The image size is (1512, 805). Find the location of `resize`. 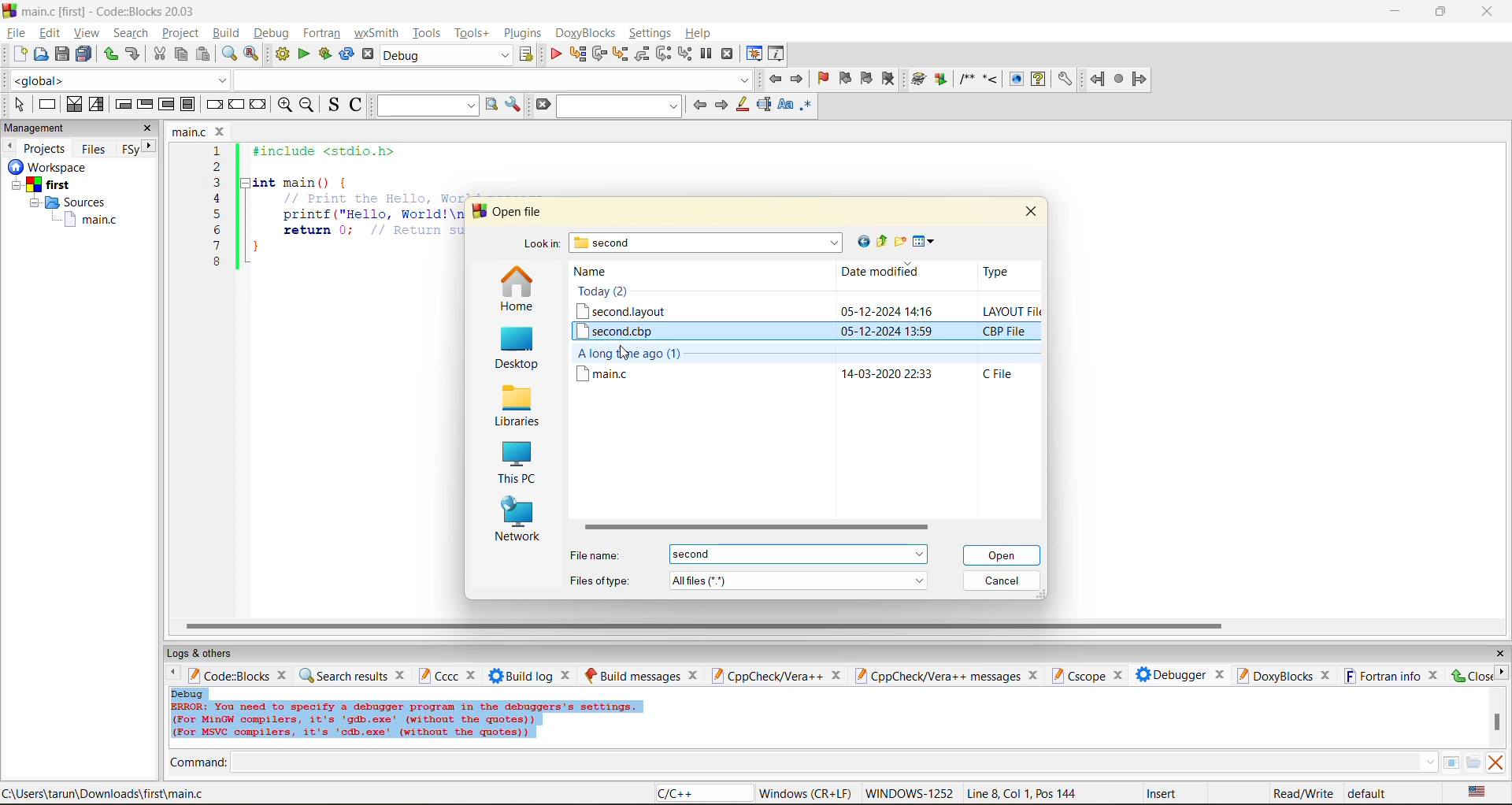

resize is located at coordinates (1441, 10).